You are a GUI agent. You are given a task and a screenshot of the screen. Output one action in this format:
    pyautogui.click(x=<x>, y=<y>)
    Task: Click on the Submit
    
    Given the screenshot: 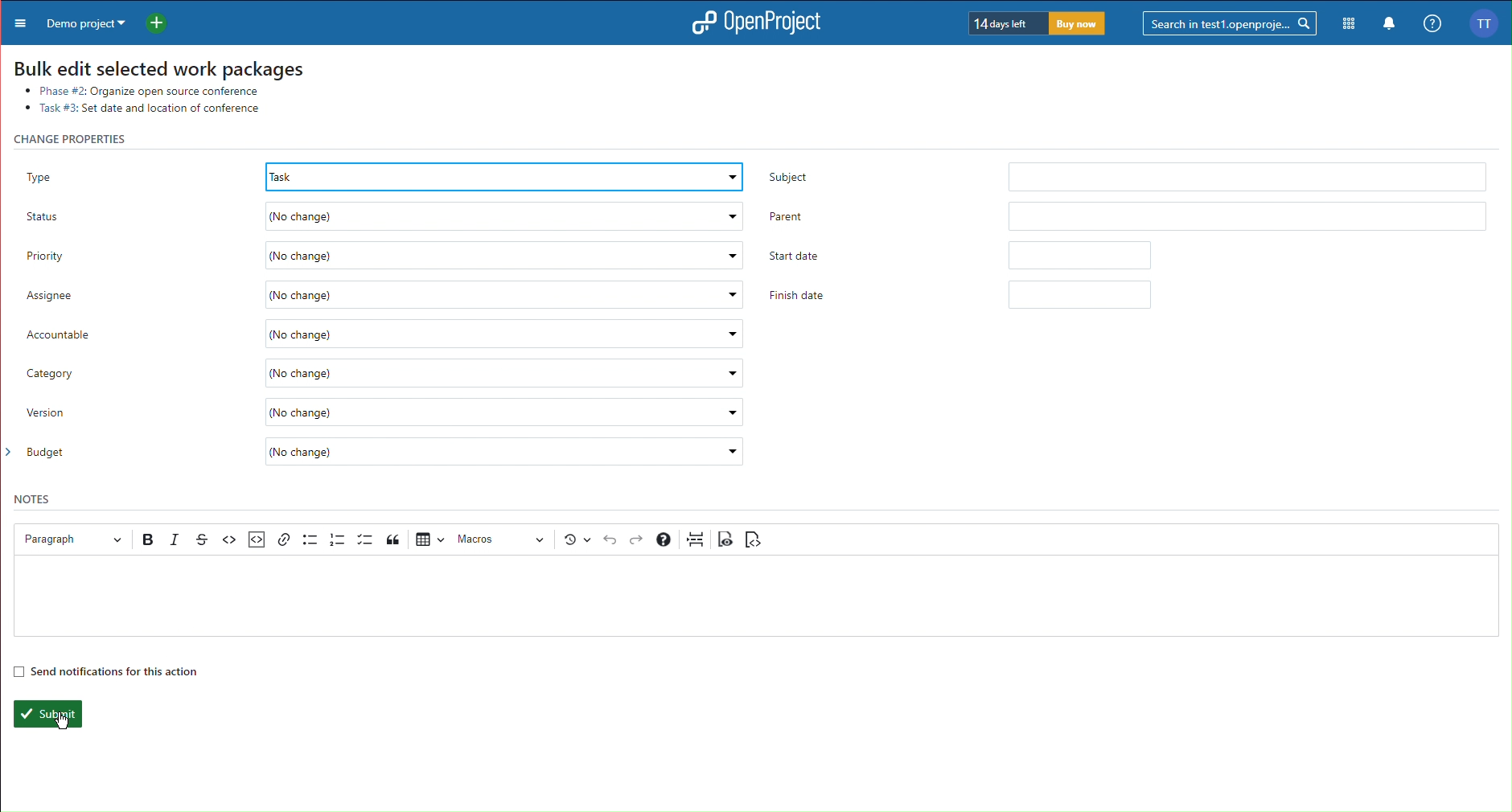 What is the action you would take?
    pyautogui.click(x=46, y=714)
    